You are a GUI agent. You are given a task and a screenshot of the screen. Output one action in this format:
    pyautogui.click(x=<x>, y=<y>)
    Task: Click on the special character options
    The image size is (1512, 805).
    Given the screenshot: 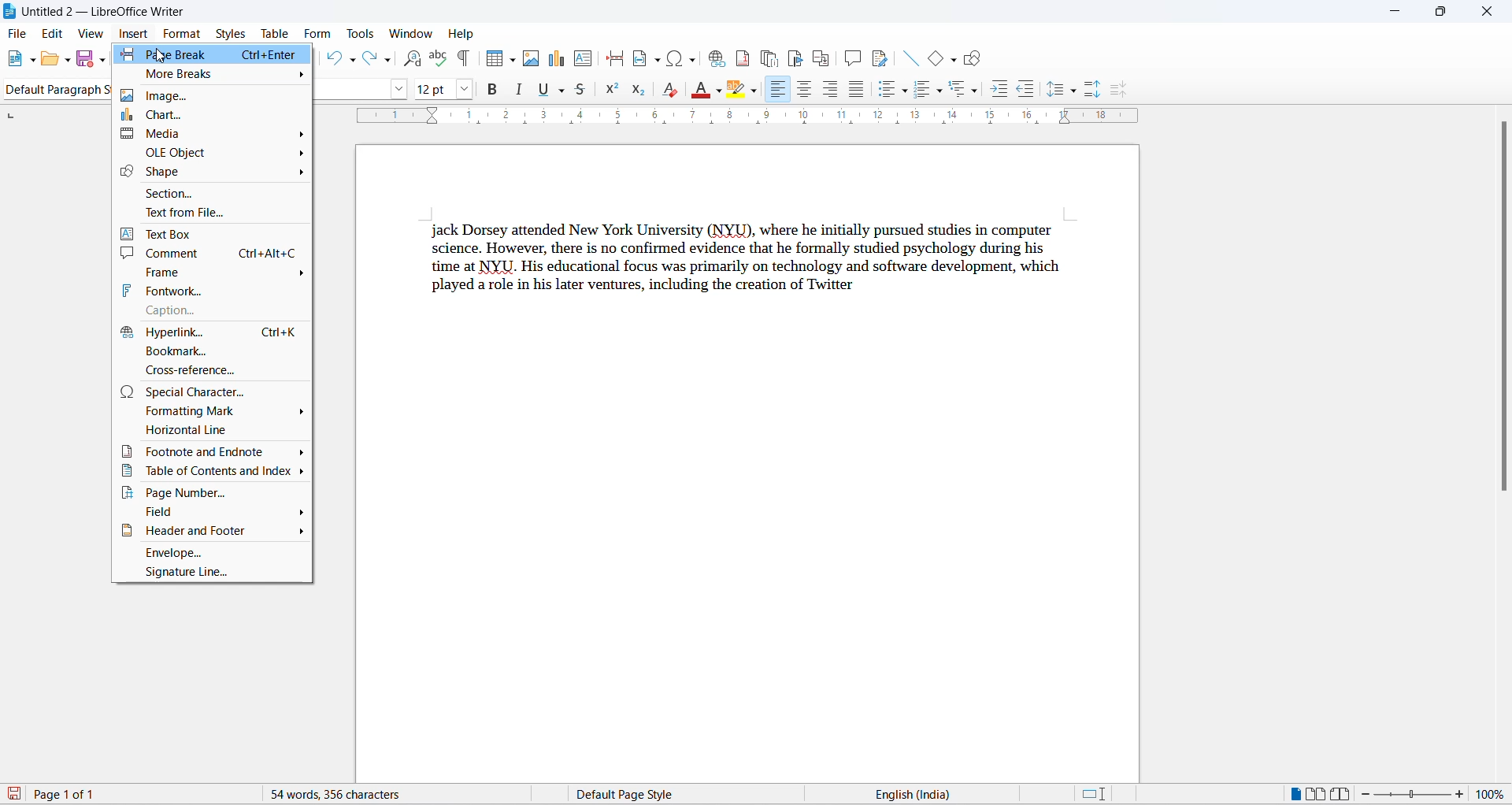 What is the action you would take?
    pyautogui.click(x=692, y=58)
    